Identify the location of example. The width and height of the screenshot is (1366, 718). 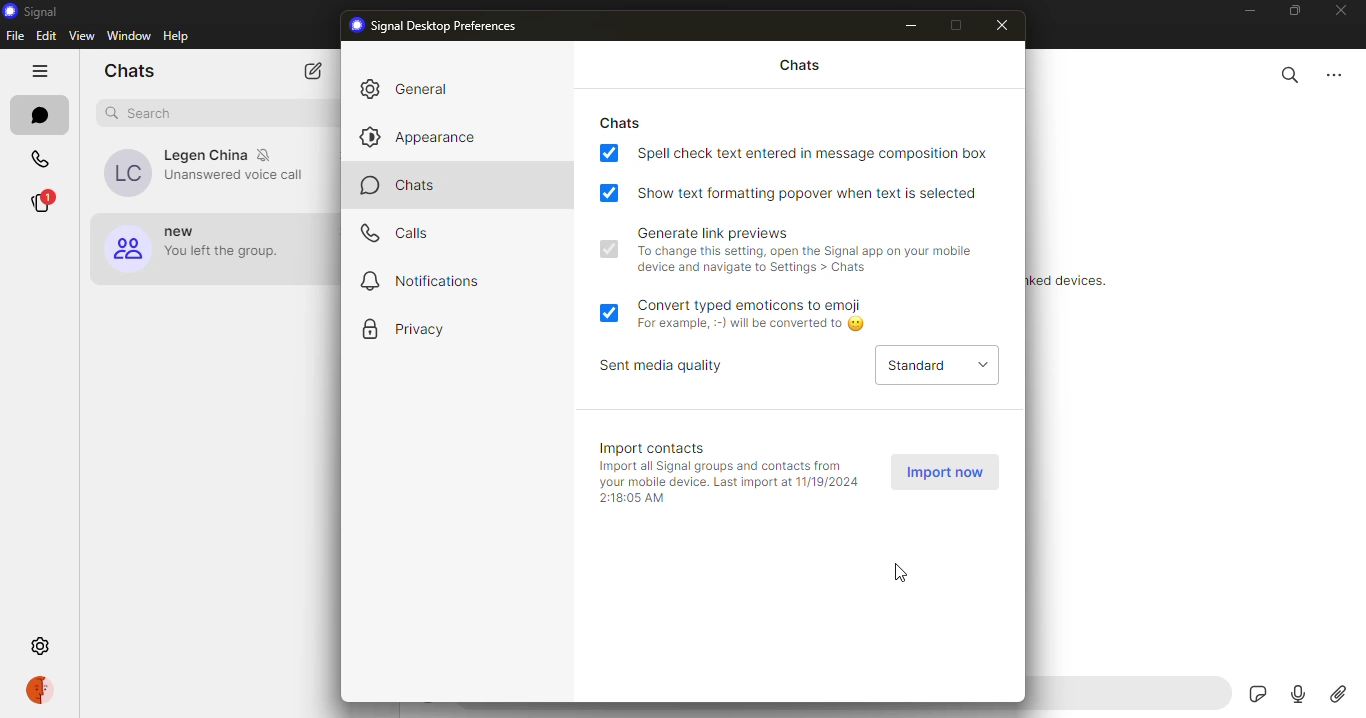
(757, 325).